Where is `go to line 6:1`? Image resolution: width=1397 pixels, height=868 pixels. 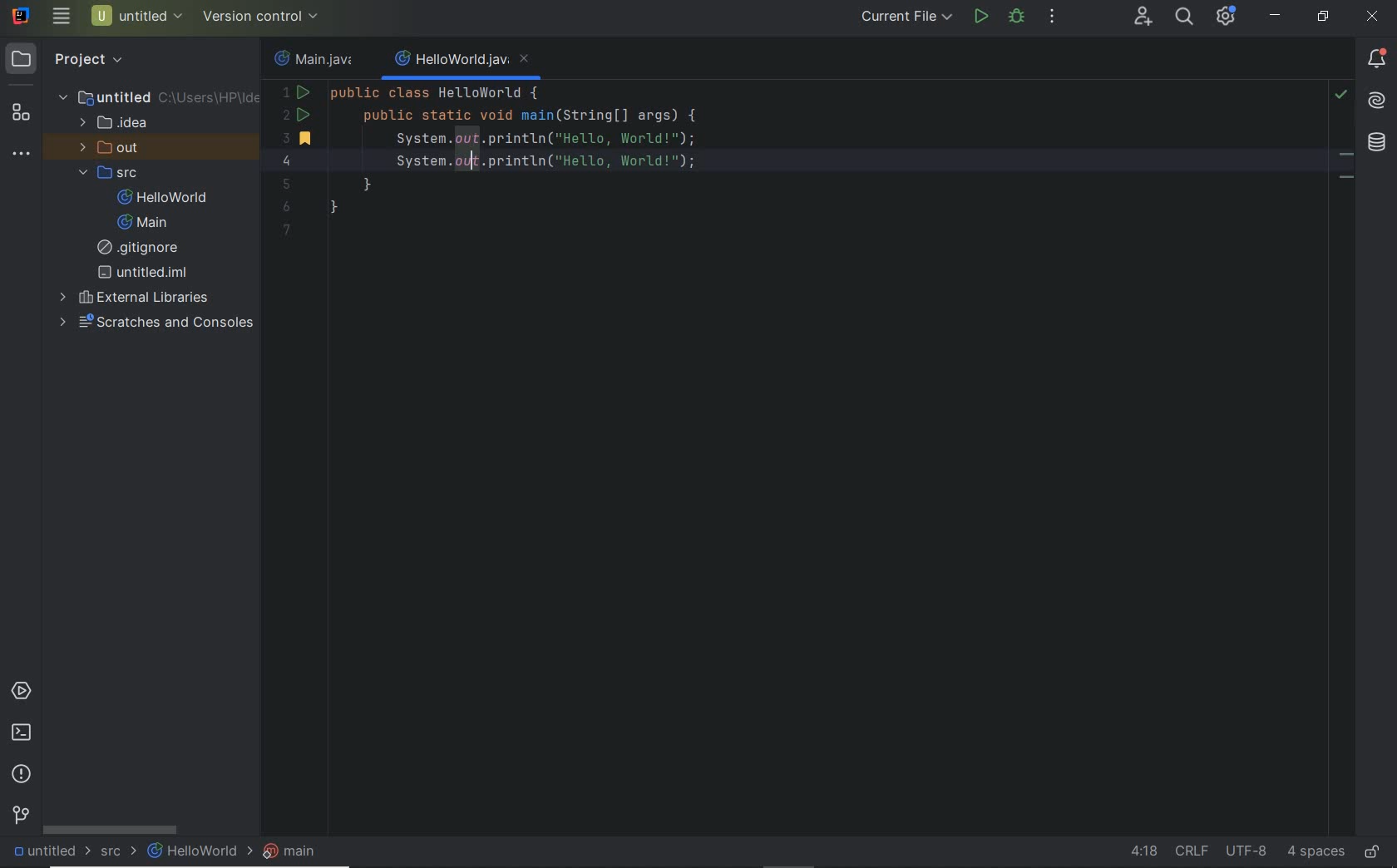
go to line 6:1 is located at coordinates (1143, 851).